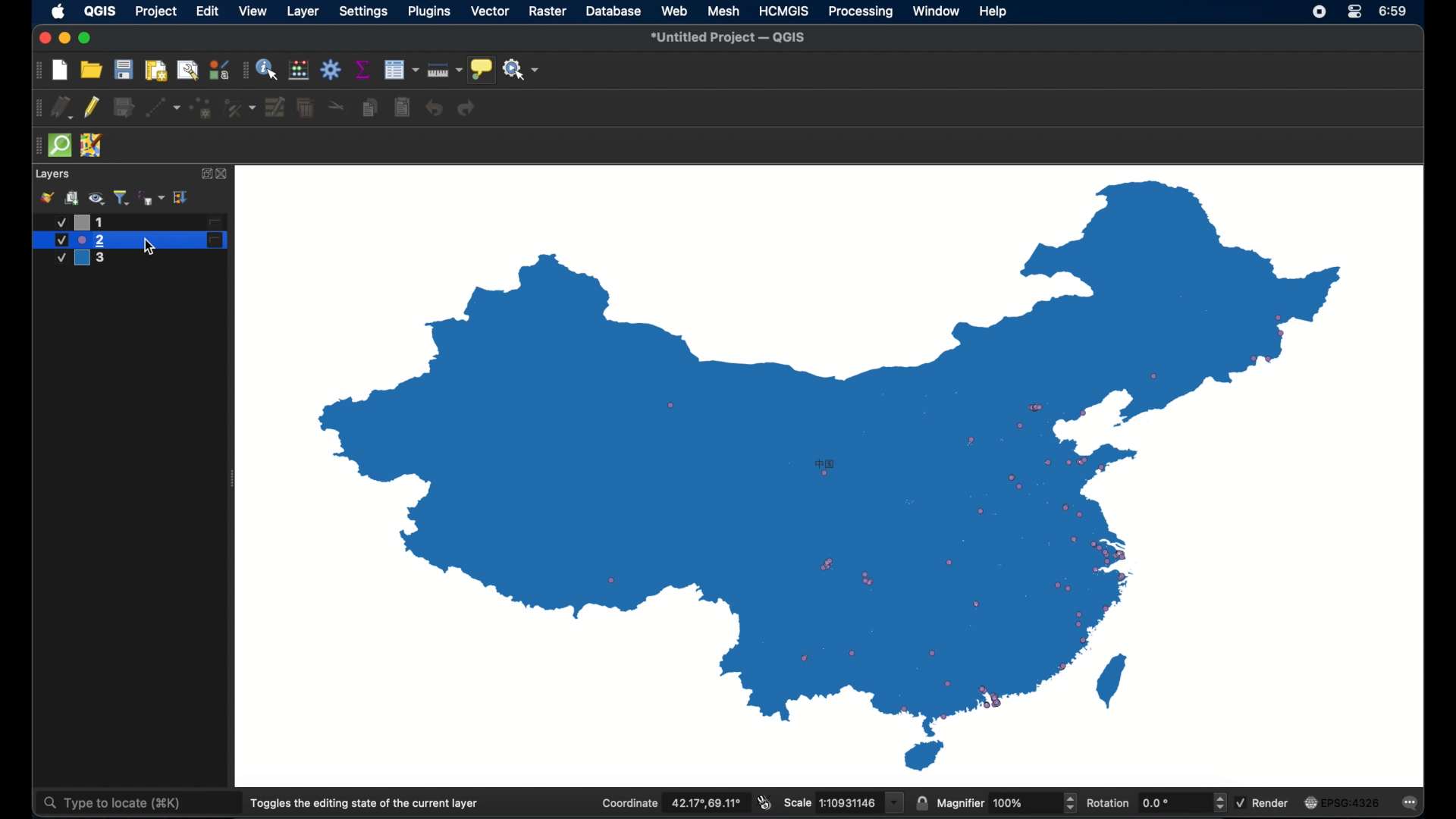 This screenshot has width=1456, height=819. Describe the element at coordinates (937, 12) in the screenshot. I see `window` at that location.